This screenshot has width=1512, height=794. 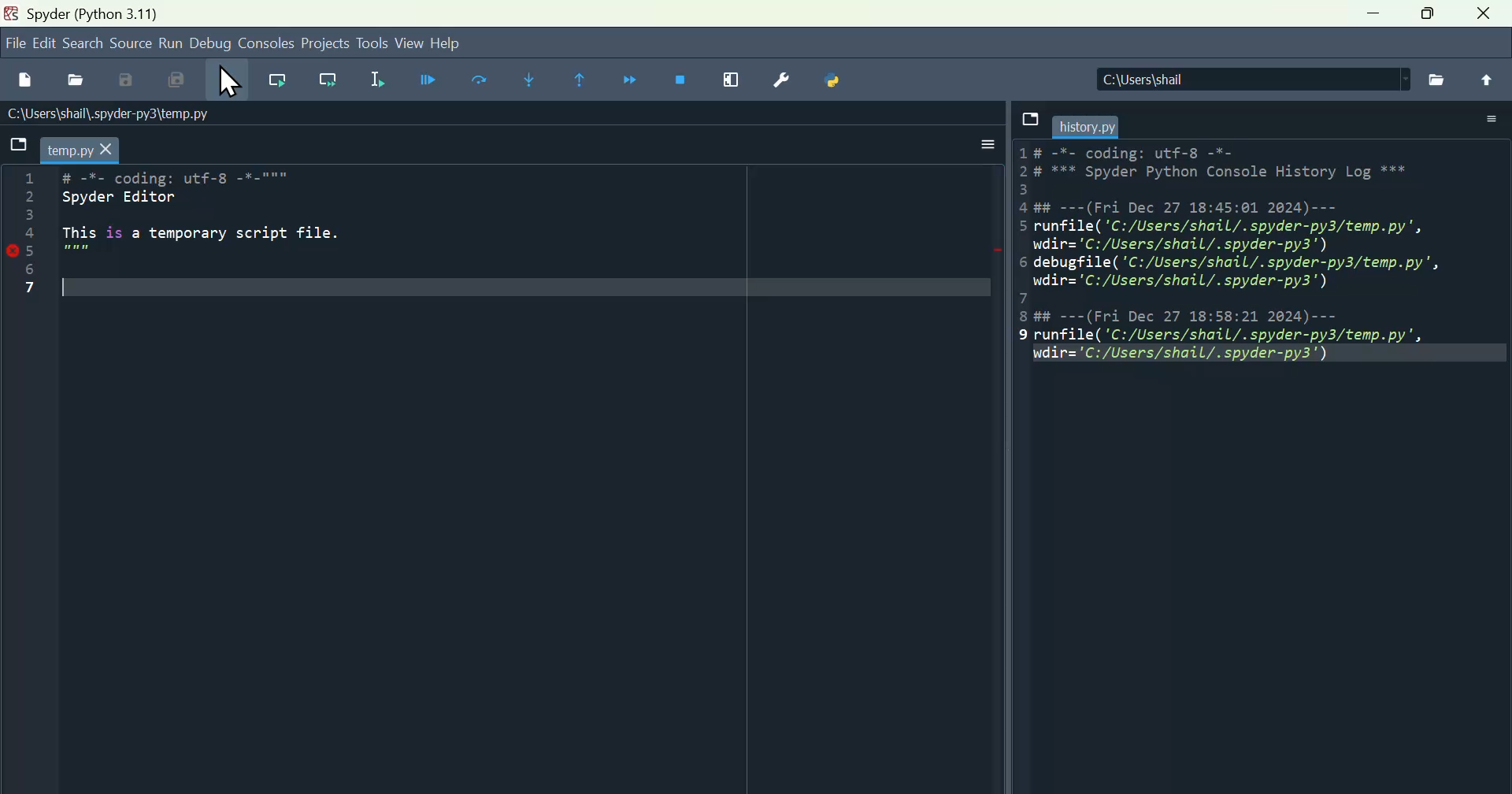 I want to click on run current cell, so click(x=476, y=79).